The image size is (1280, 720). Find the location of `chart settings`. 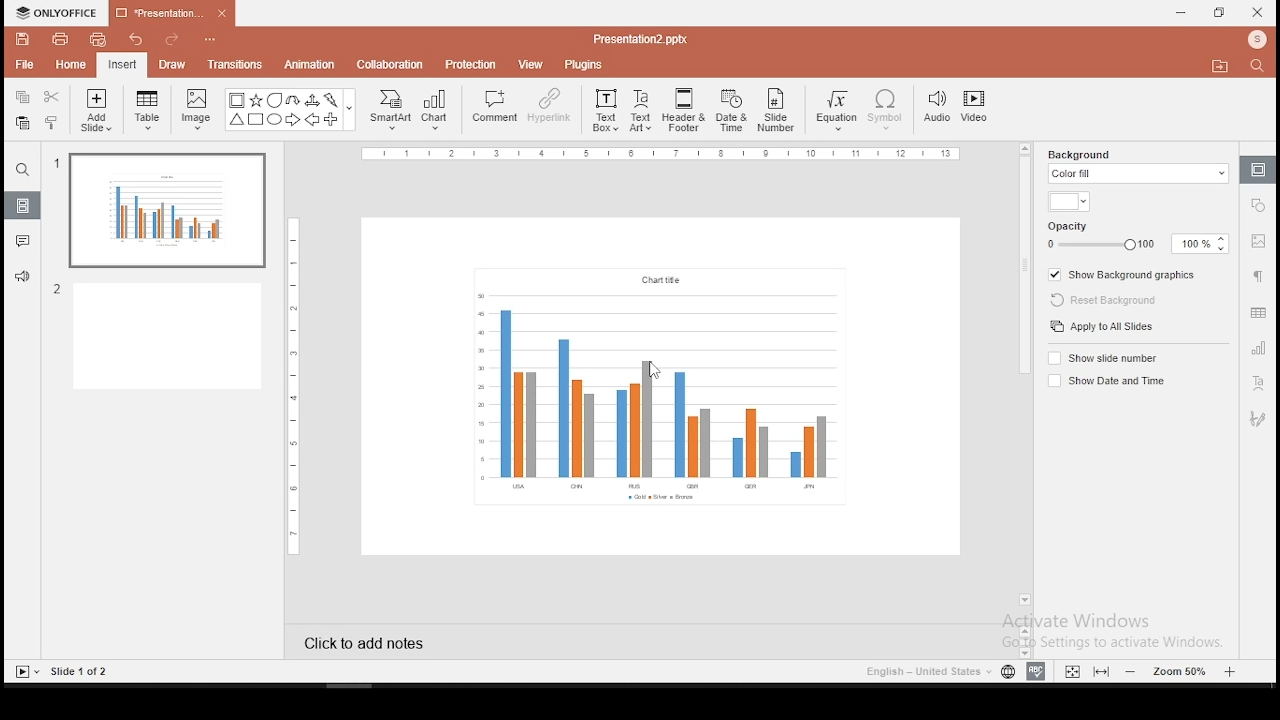

chart settings is located at coordinates (1258, 348).